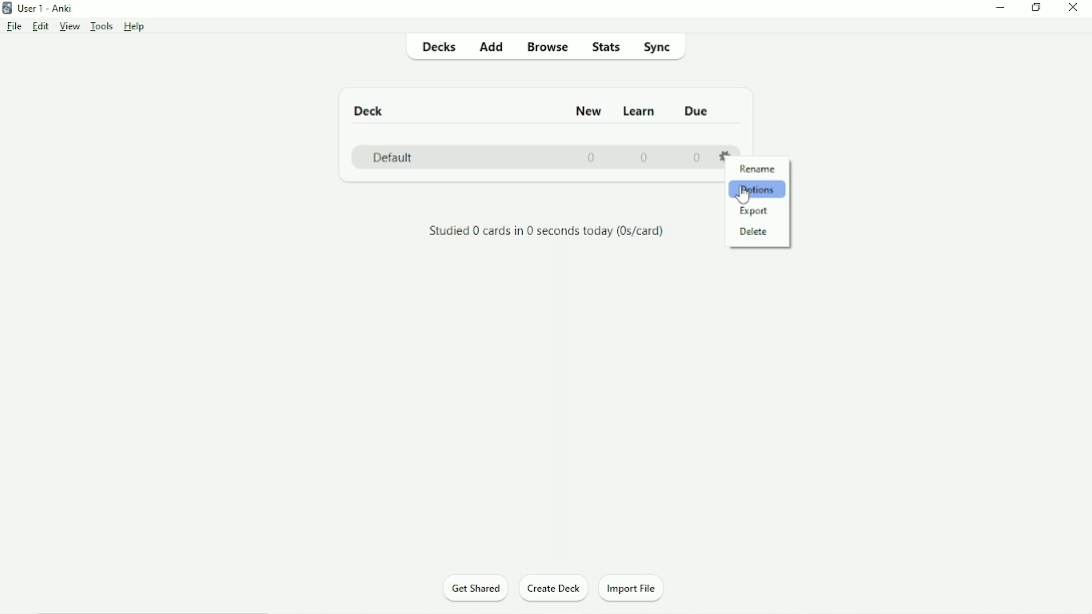 The image size is (1092, 614). Describe the element at coordinates (759, 168) in the screenshot. I see `Rename` at that location.